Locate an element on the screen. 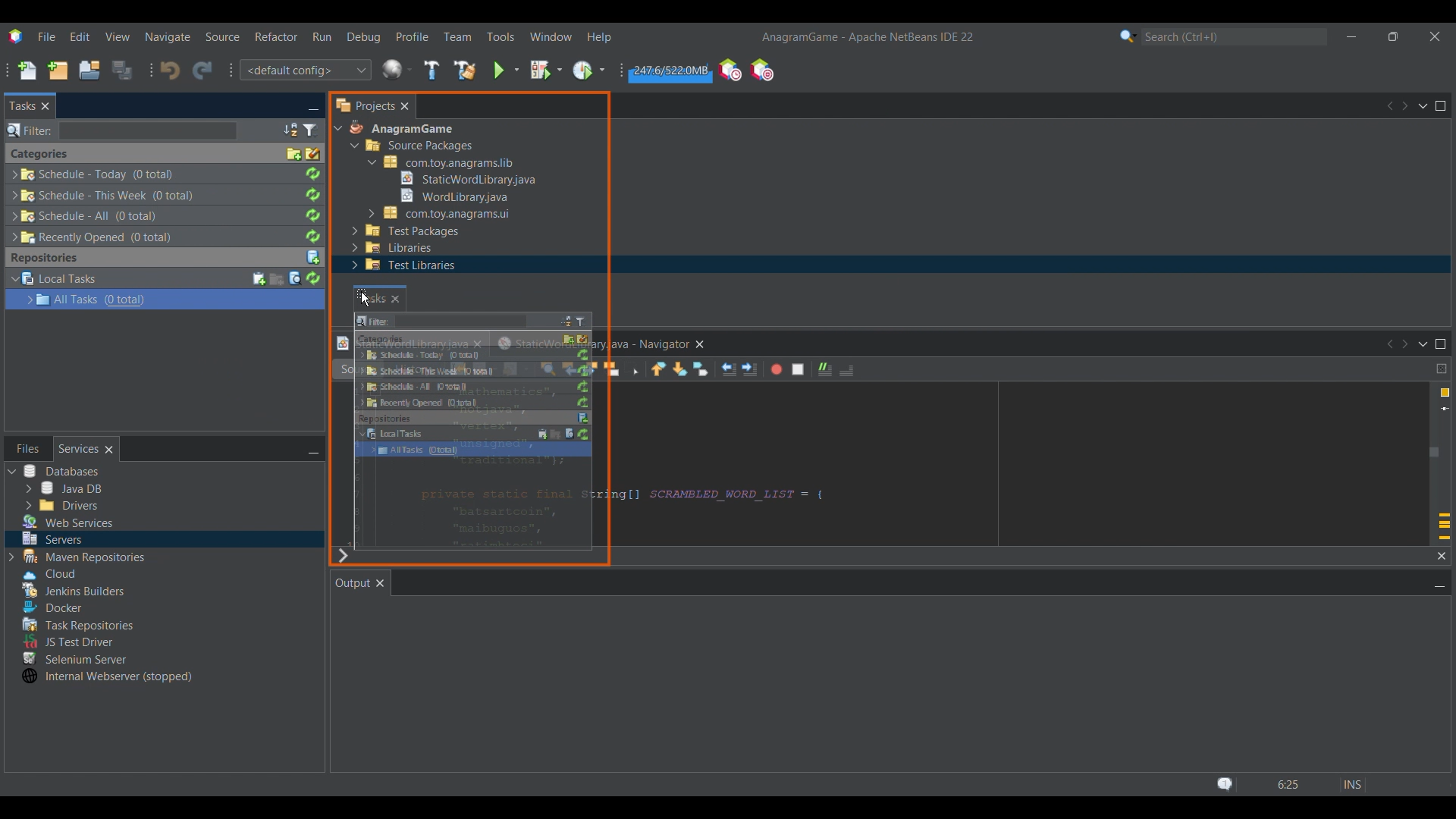 Image resolution: width=1456 pixels, height=819 pixels. Default configuration options is located at coordinates (305, 70).